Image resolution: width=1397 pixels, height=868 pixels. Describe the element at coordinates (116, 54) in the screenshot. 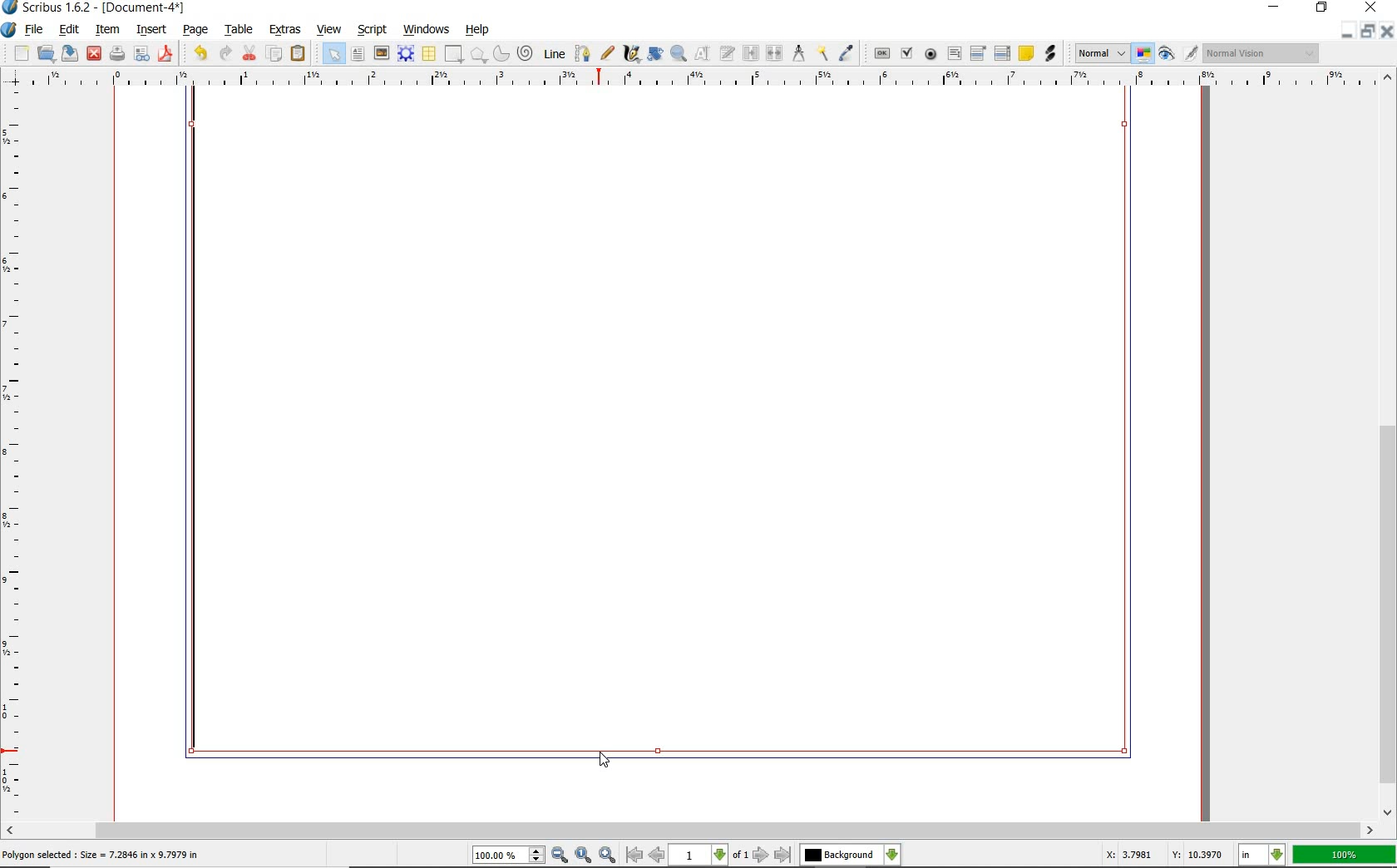

I see `print` at that location.